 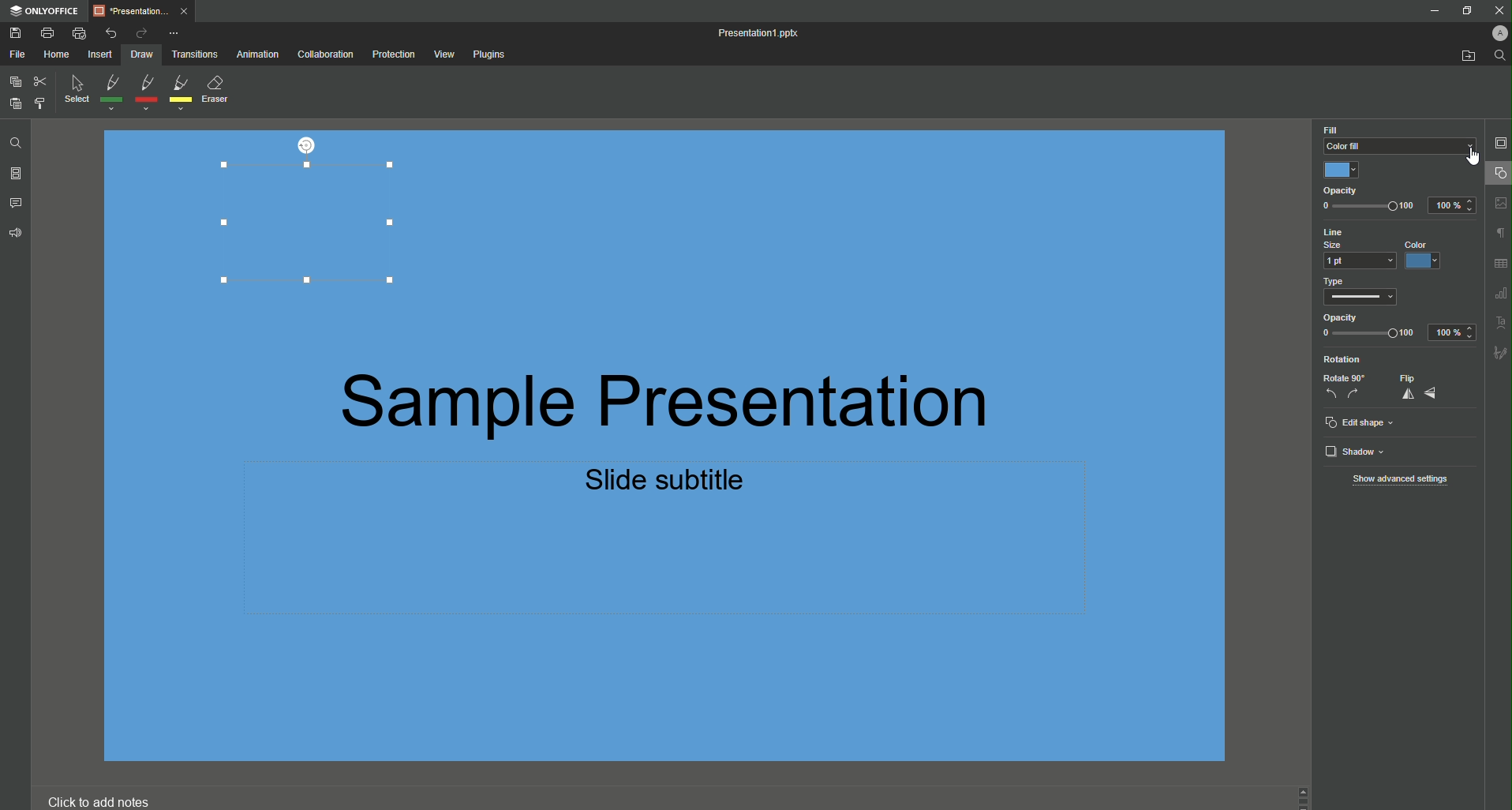 What do you see at coordinates (39, 81) in the screenshot?
I see `Cut` at bounding box center [39, 81].